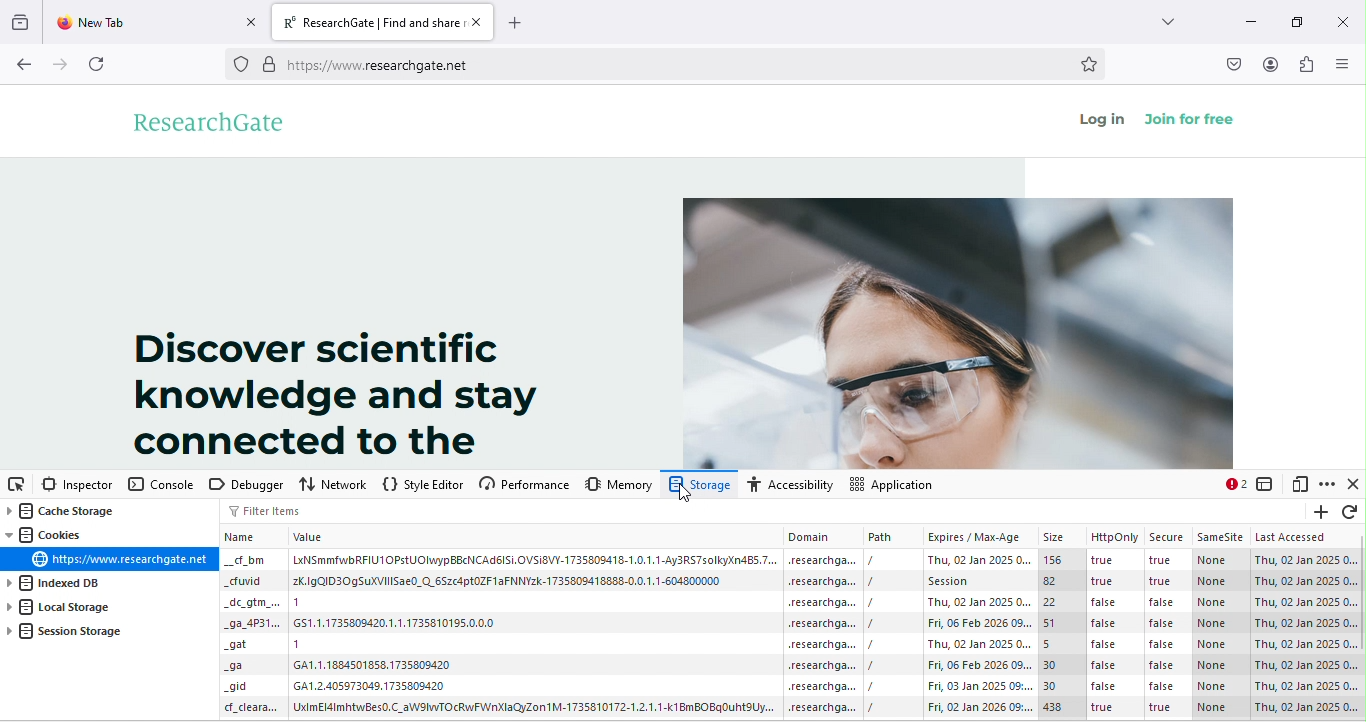 The width and height of the screenshot is (1366, 722). Describe the element at coordinates (822, 604) in the screenshot. I see `domain` at that location.